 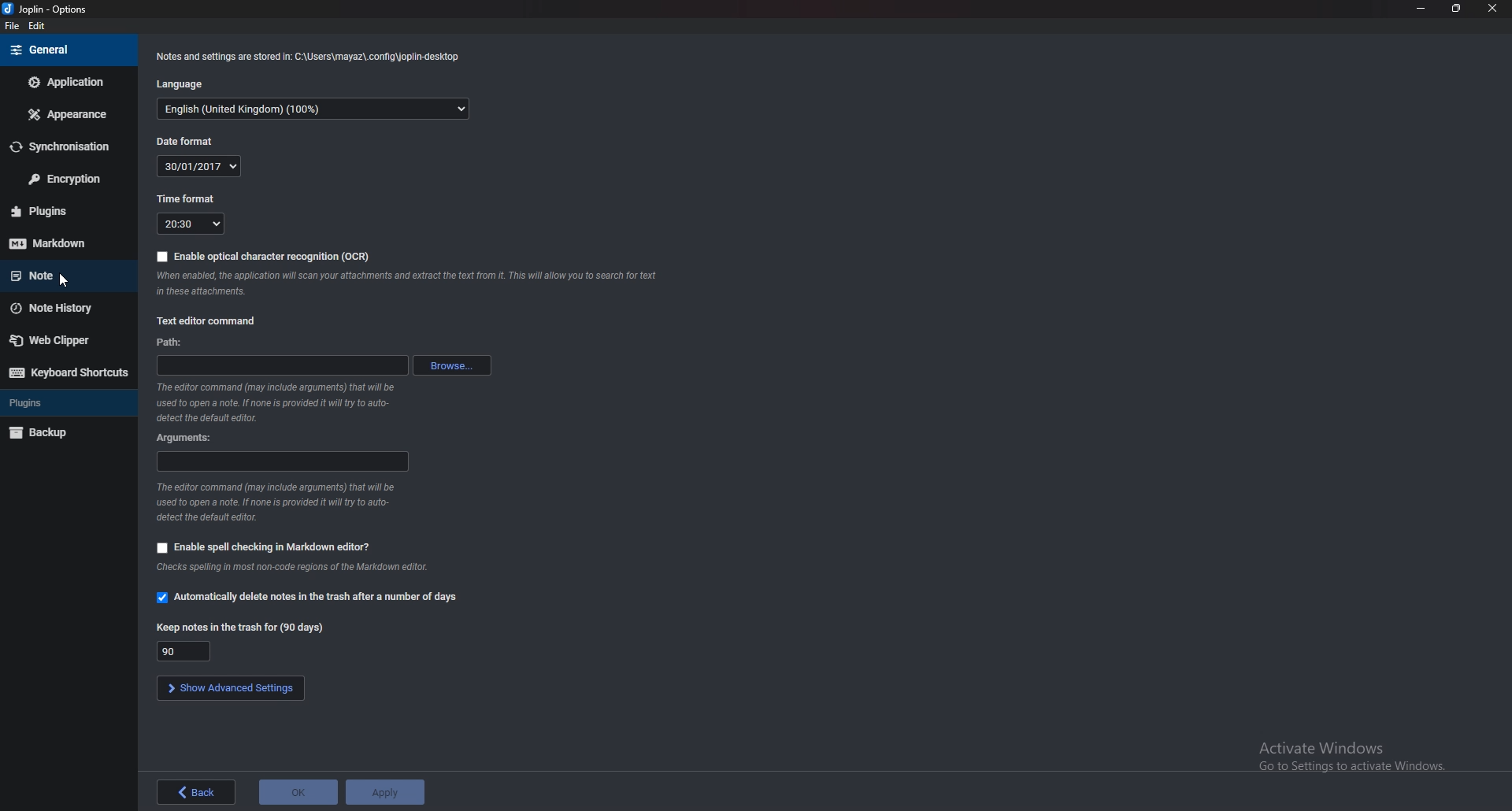 I want to click on mark down, so click(x=65, y=243).